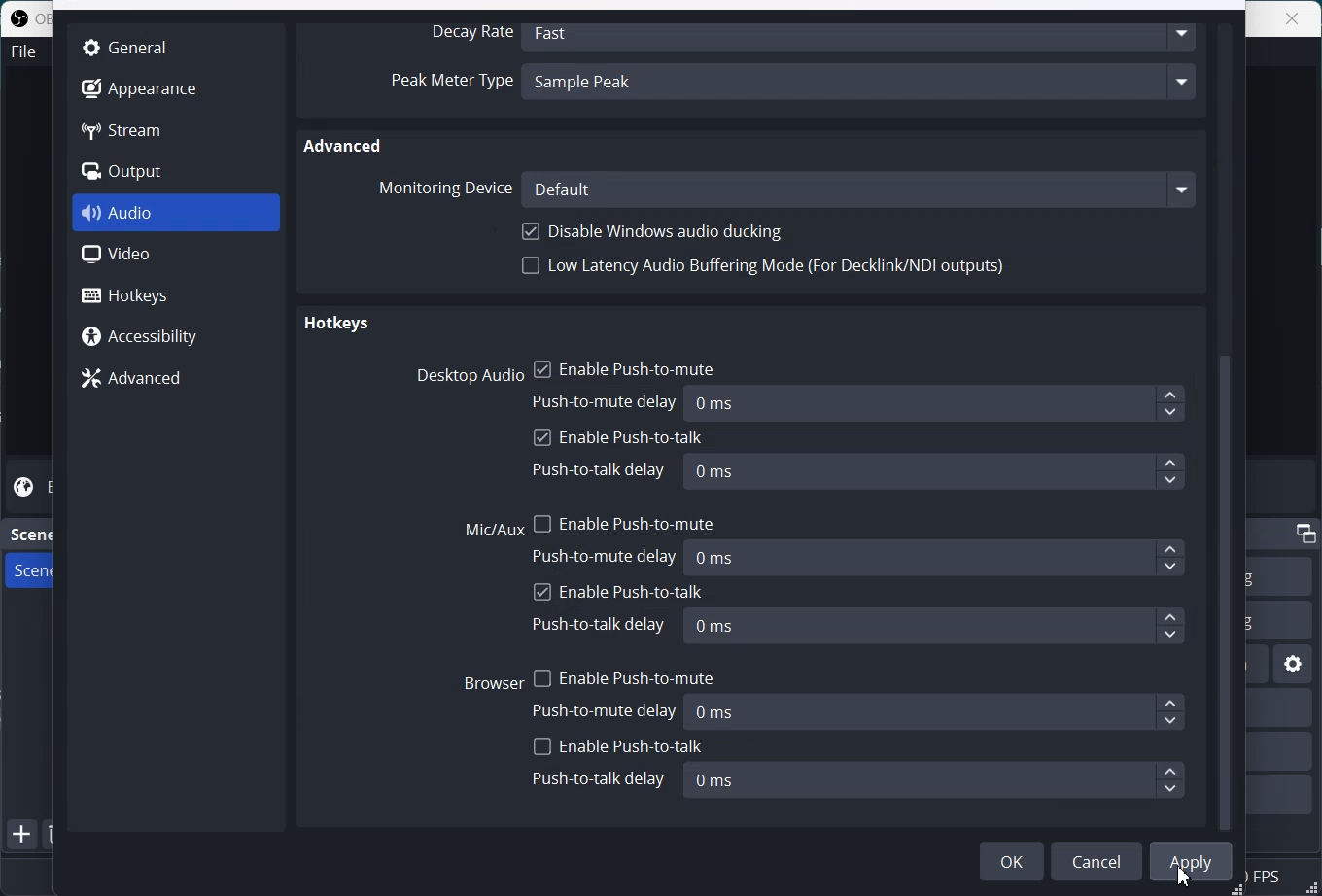  Describe the element at coordinates (608, 709) in the screenshot. I see `Push-to-mute delay` at that location.